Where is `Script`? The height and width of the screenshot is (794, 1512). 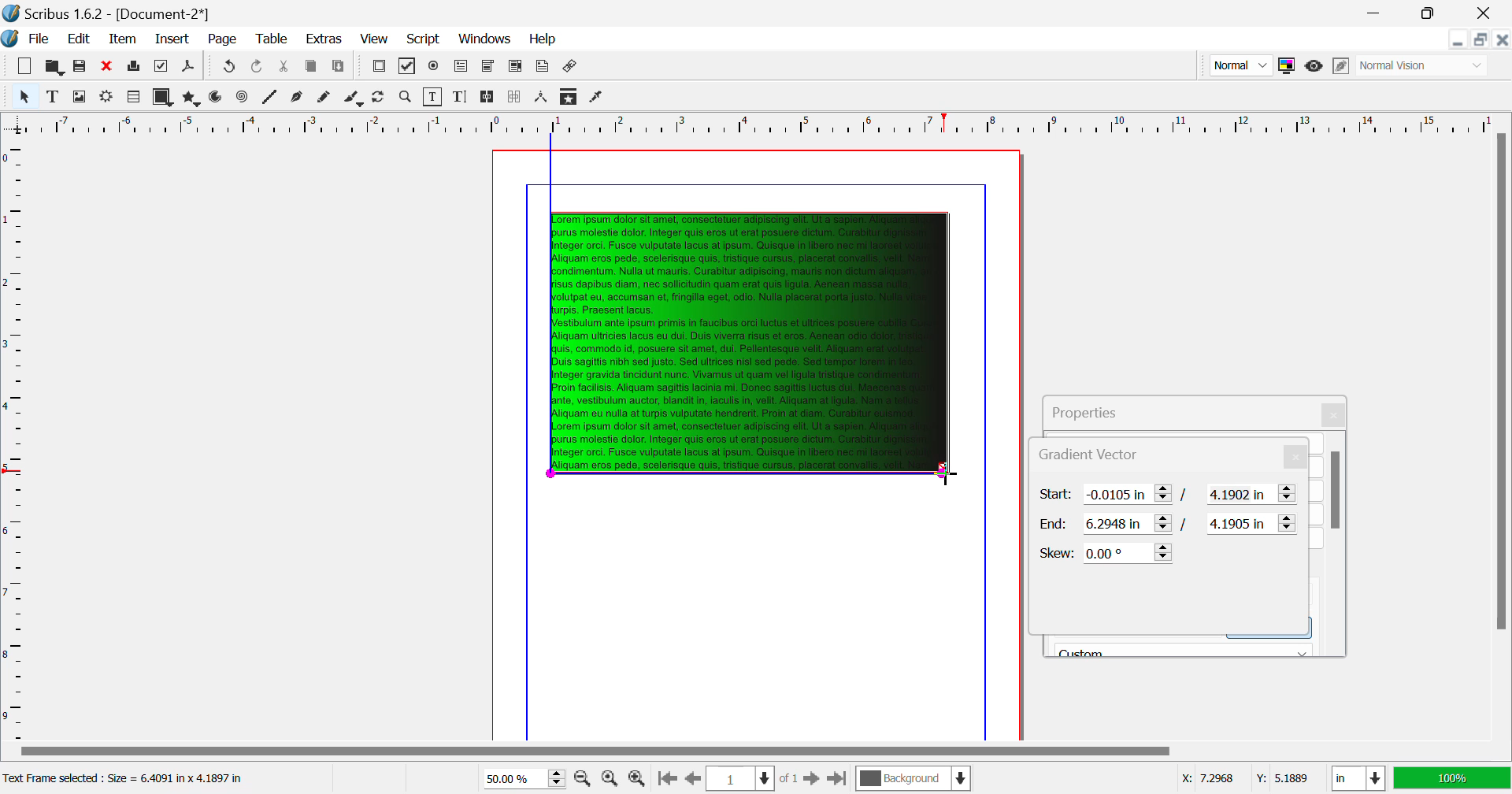
Script is located at coordinates (424, 38).